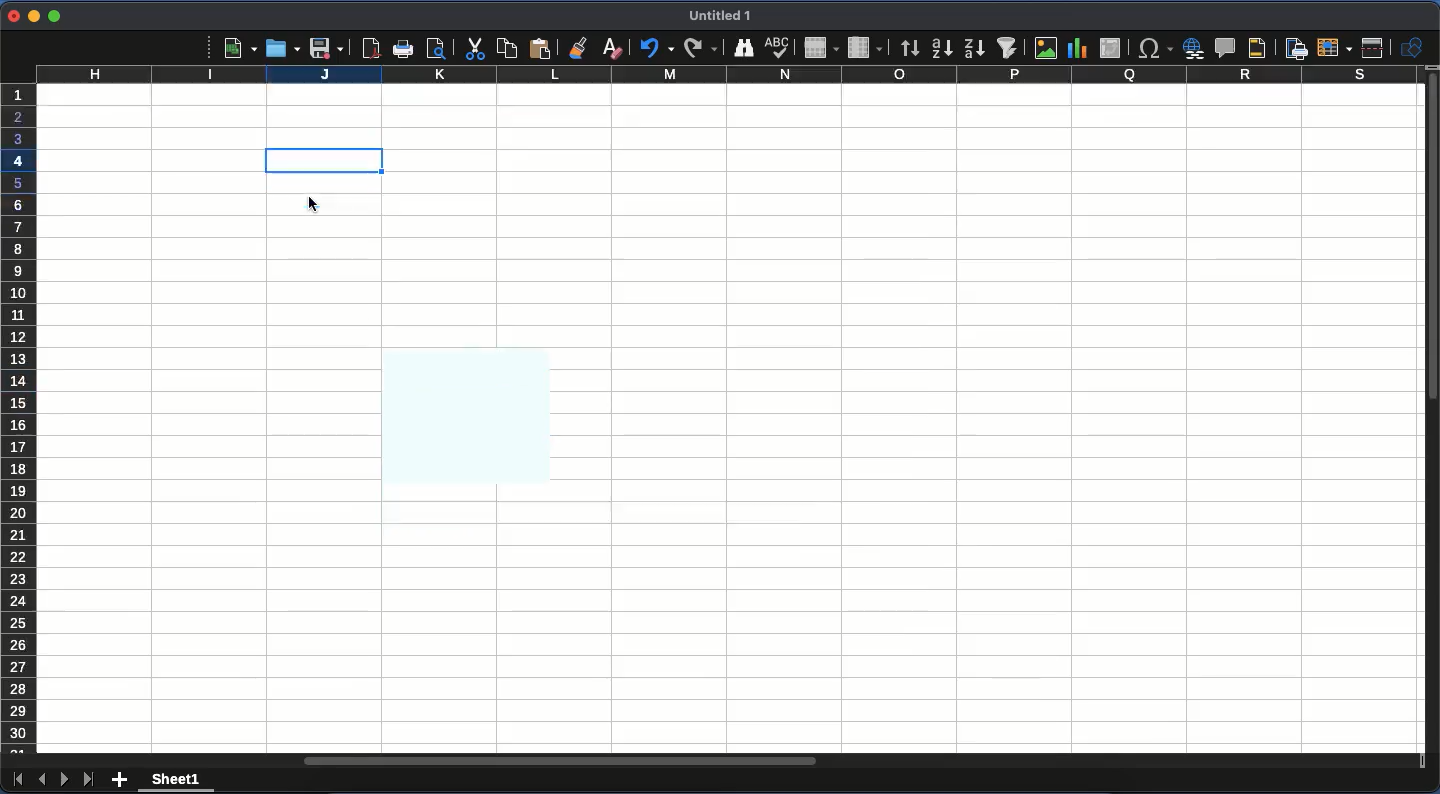  I want to click on previous sheet, so click(41, 779).